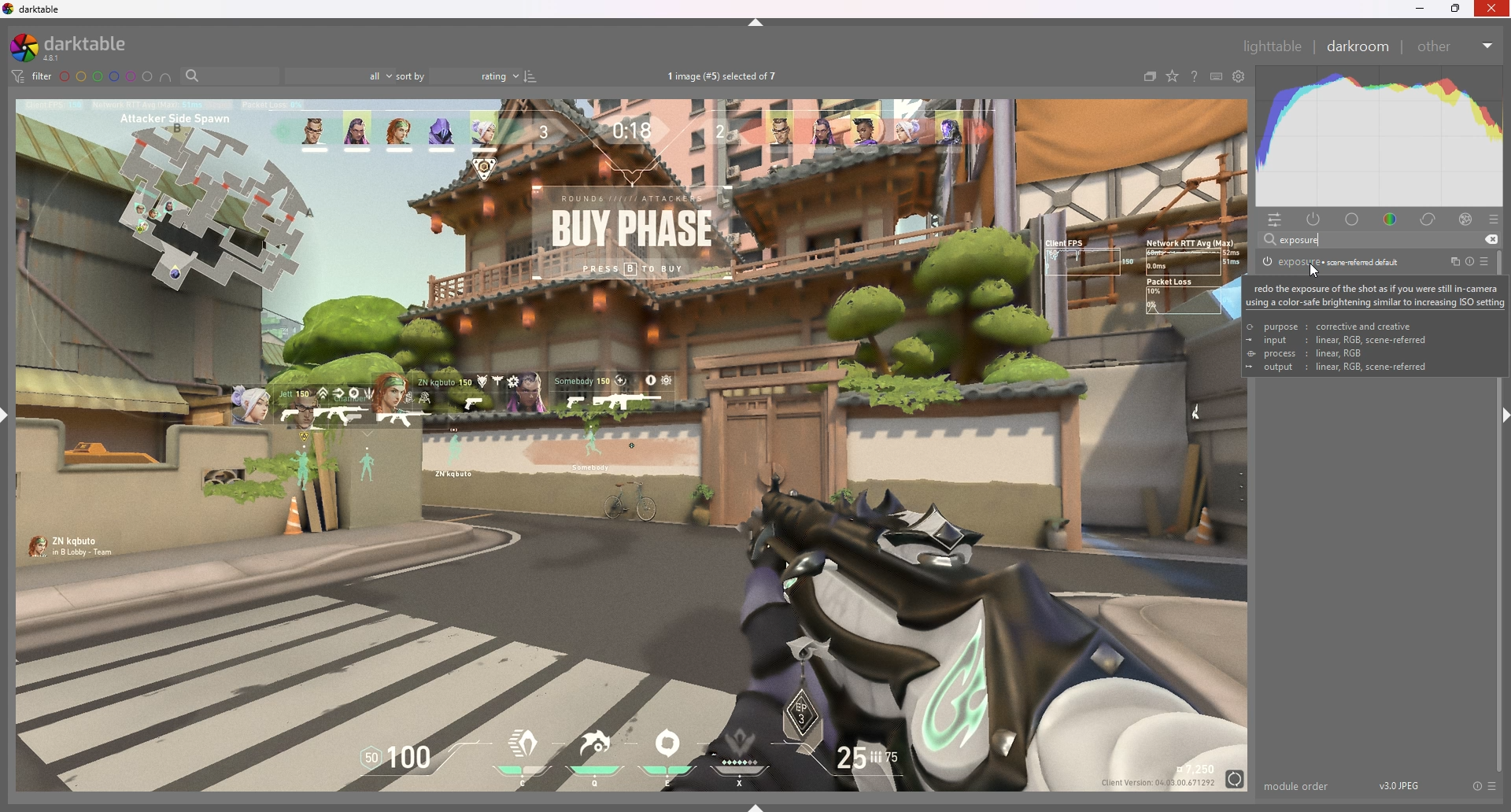 This screenshot has height=812, width=1511. I want to click on hide, so click(756, 23).